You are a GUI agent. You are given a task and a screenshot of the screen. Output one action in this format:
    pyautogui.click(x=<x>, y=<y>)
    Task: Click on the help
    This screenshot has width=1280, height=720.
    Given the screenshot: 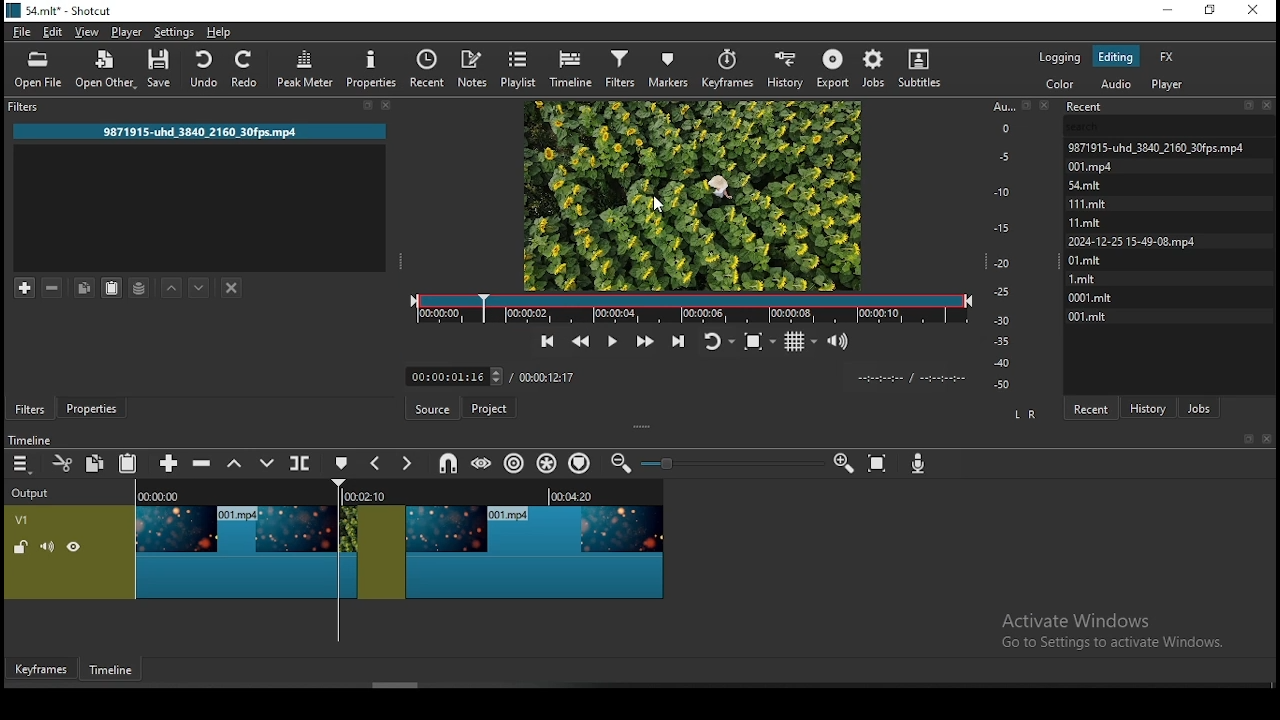 What is the action you would take?
    pyautogui.click(x=221, y=32)
    